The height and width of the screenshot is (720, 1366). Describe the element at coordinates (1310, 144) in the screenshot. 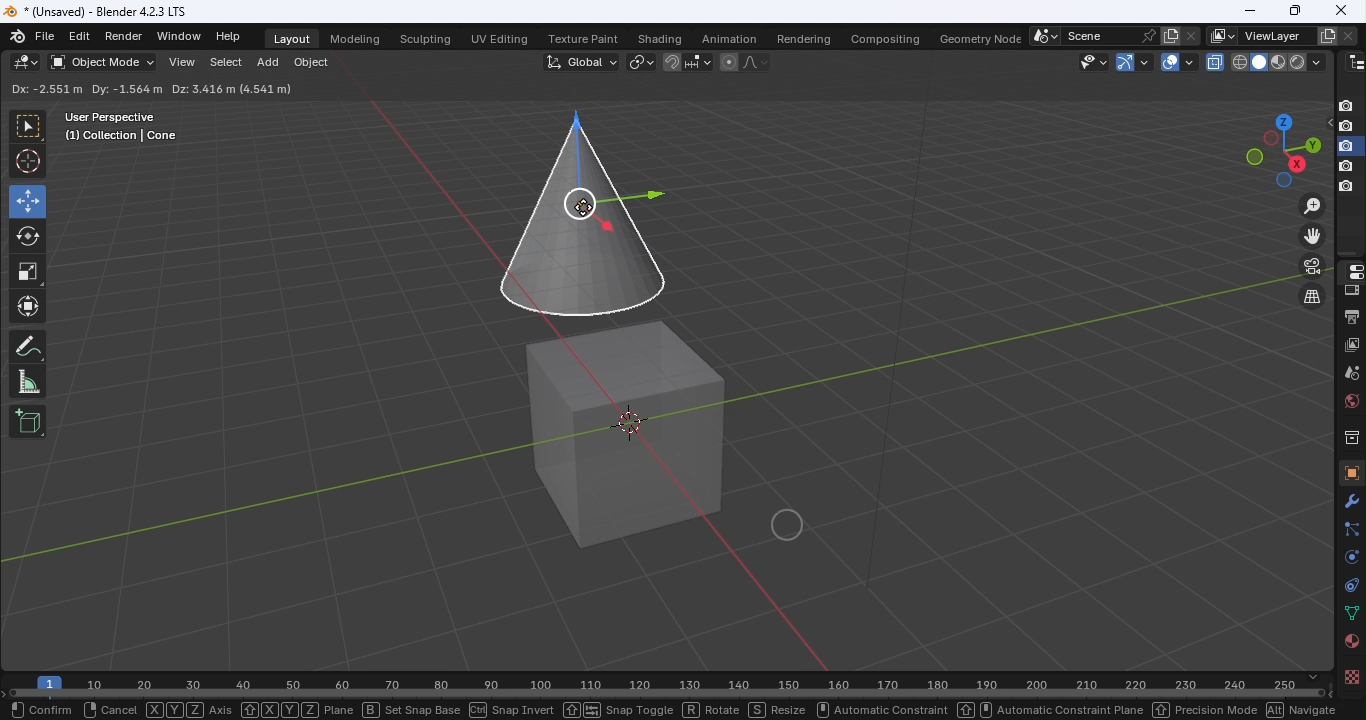

I see `Rotate the view` at that location.